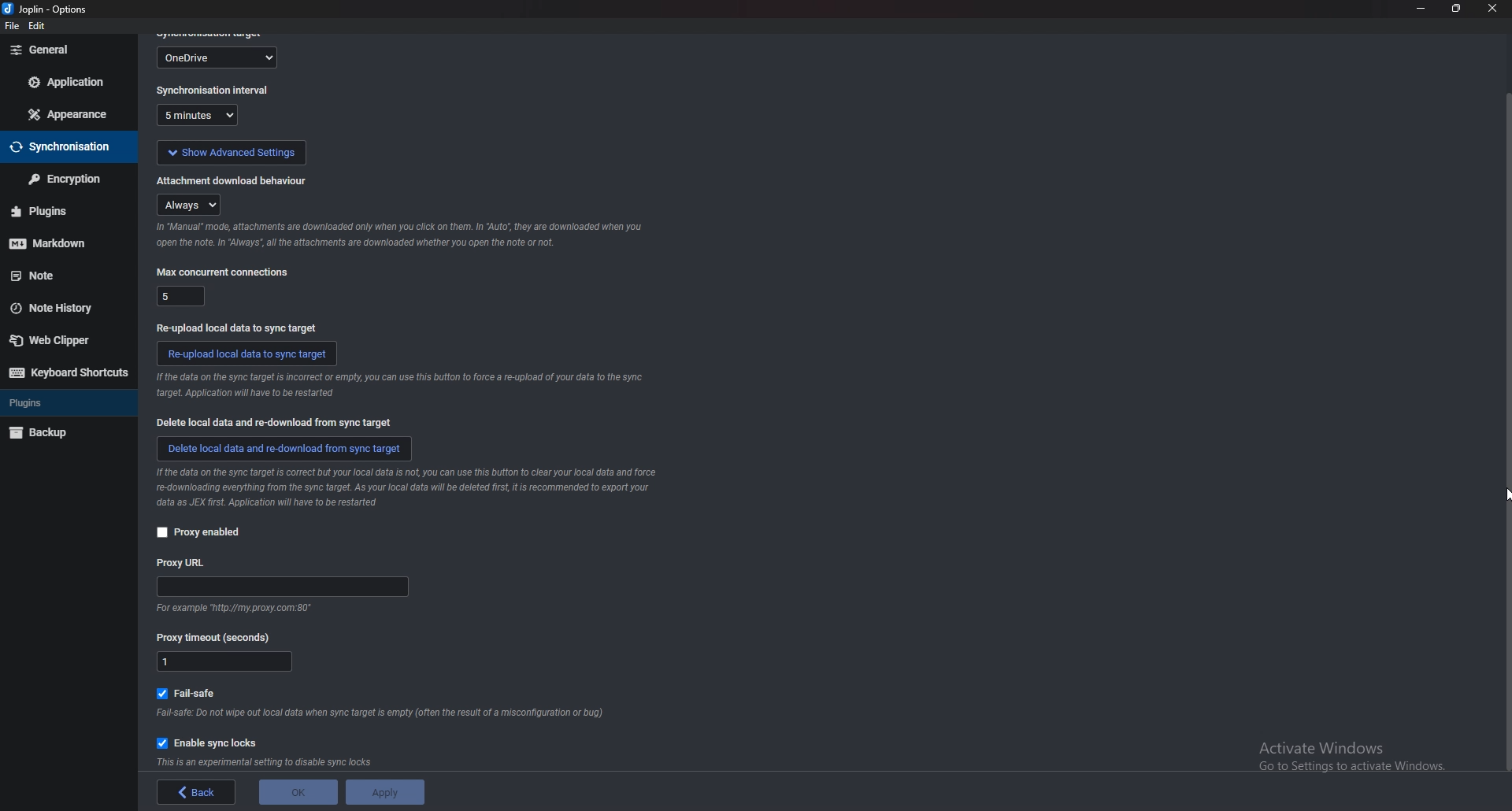 This screenshot has width=1512, height=811. I want to click on delete local data, so click(284, 447).